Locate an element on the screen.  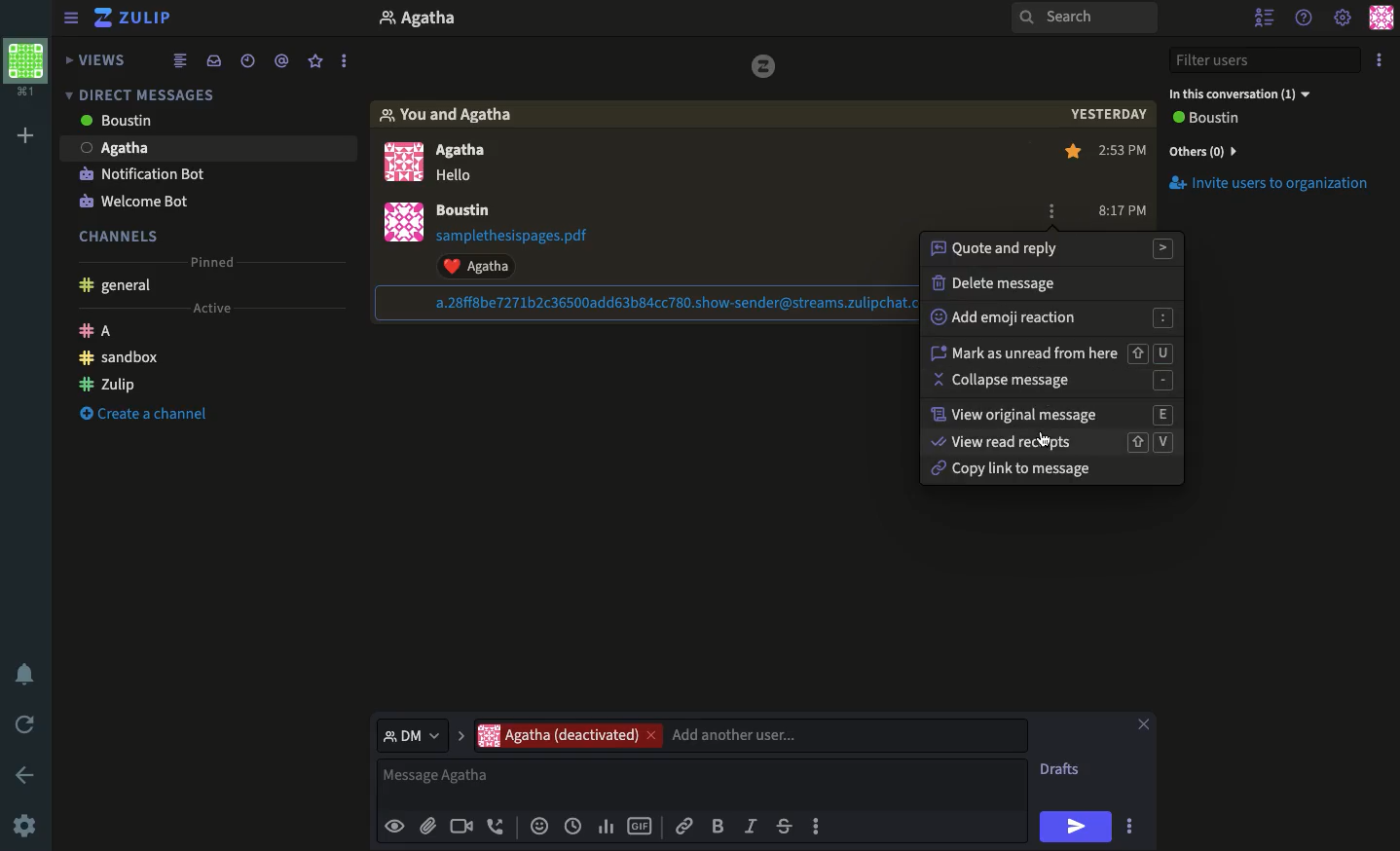
Settings is located at coordinates (1344, 16).